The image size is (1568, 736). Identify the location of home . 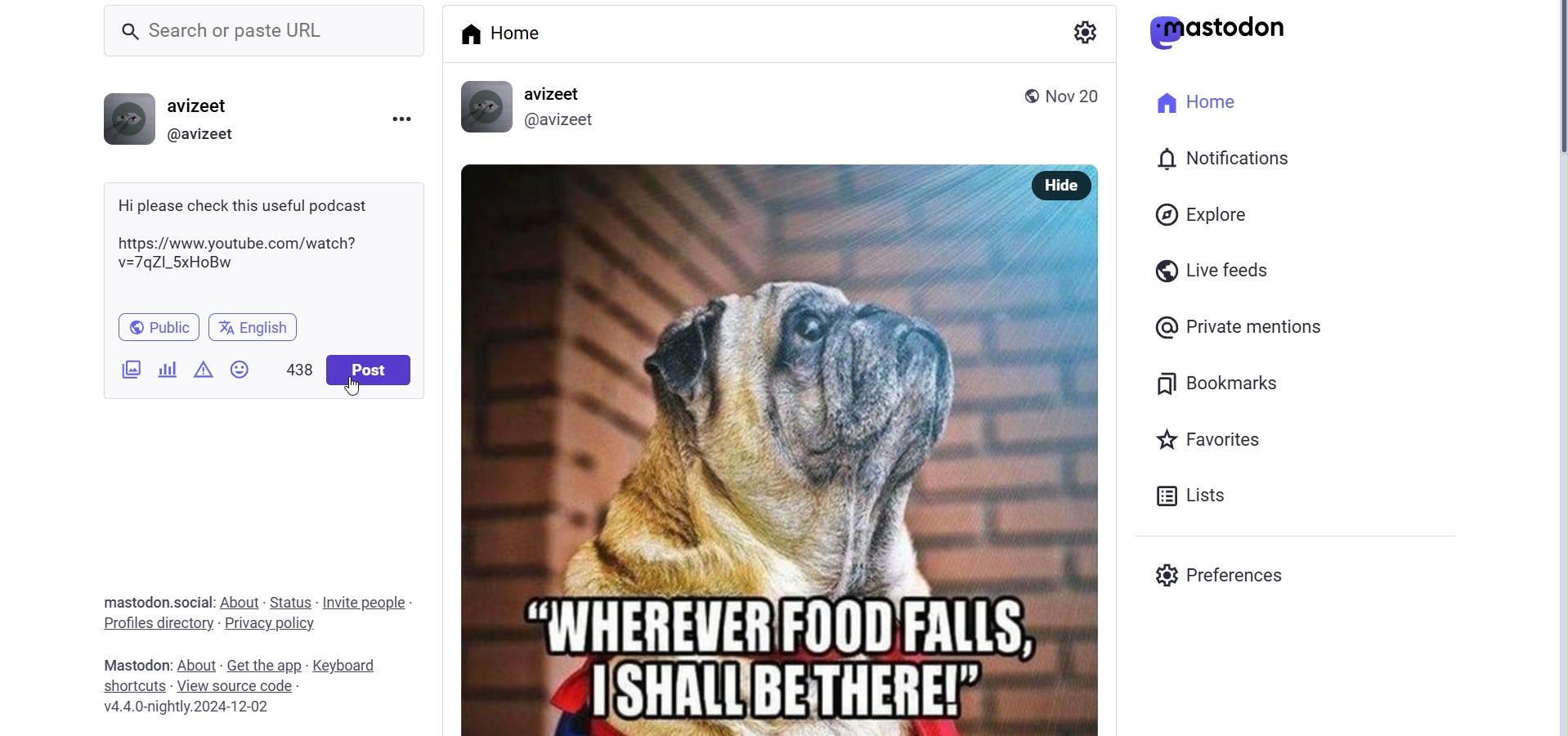
(510, 33).